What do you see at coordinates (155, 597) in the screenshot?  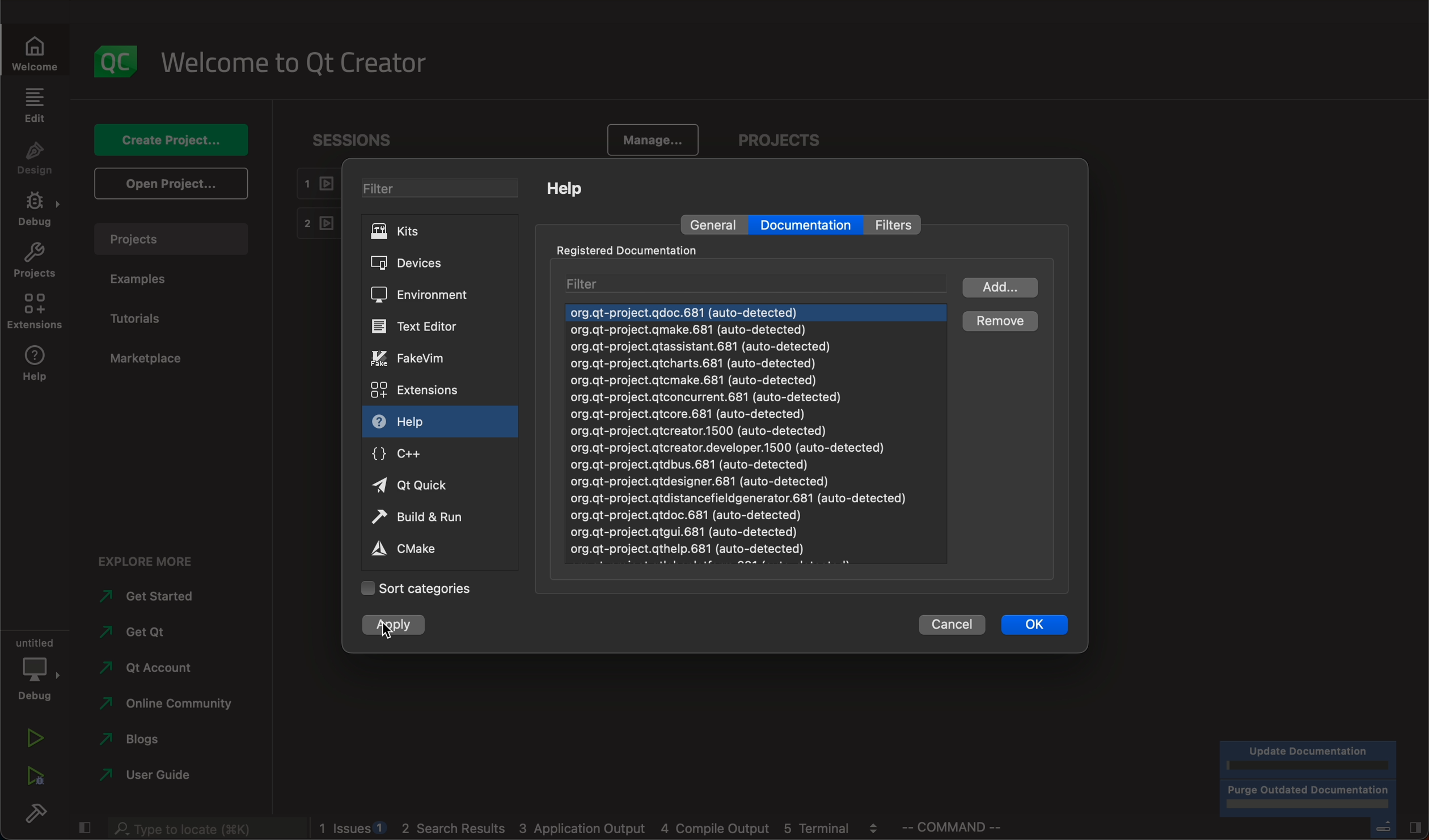 I see `started` at bounding box center [155, 597].